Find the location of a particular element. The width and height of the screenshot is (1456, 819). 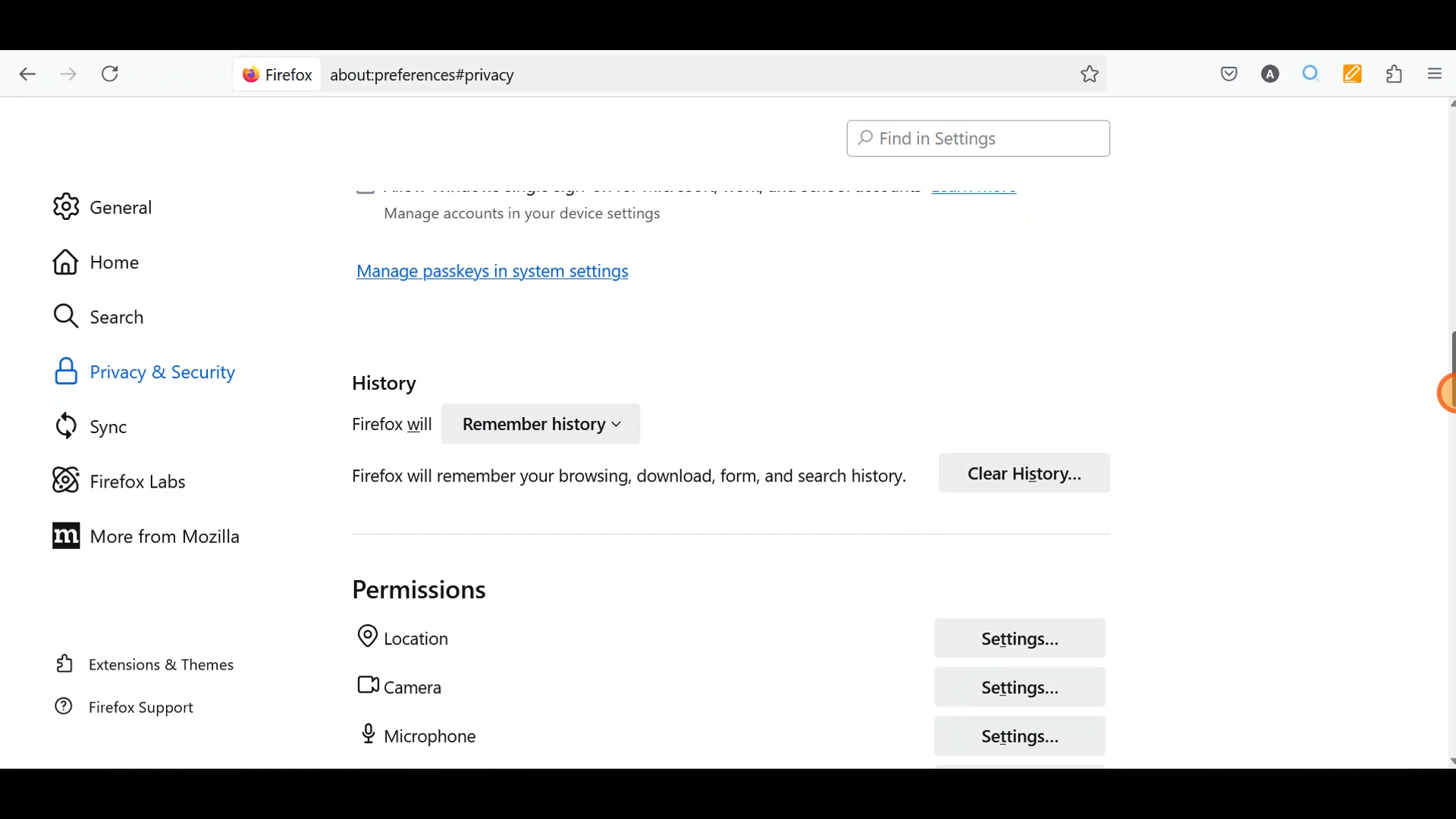

Location settings is located at coordinates (722, 640).